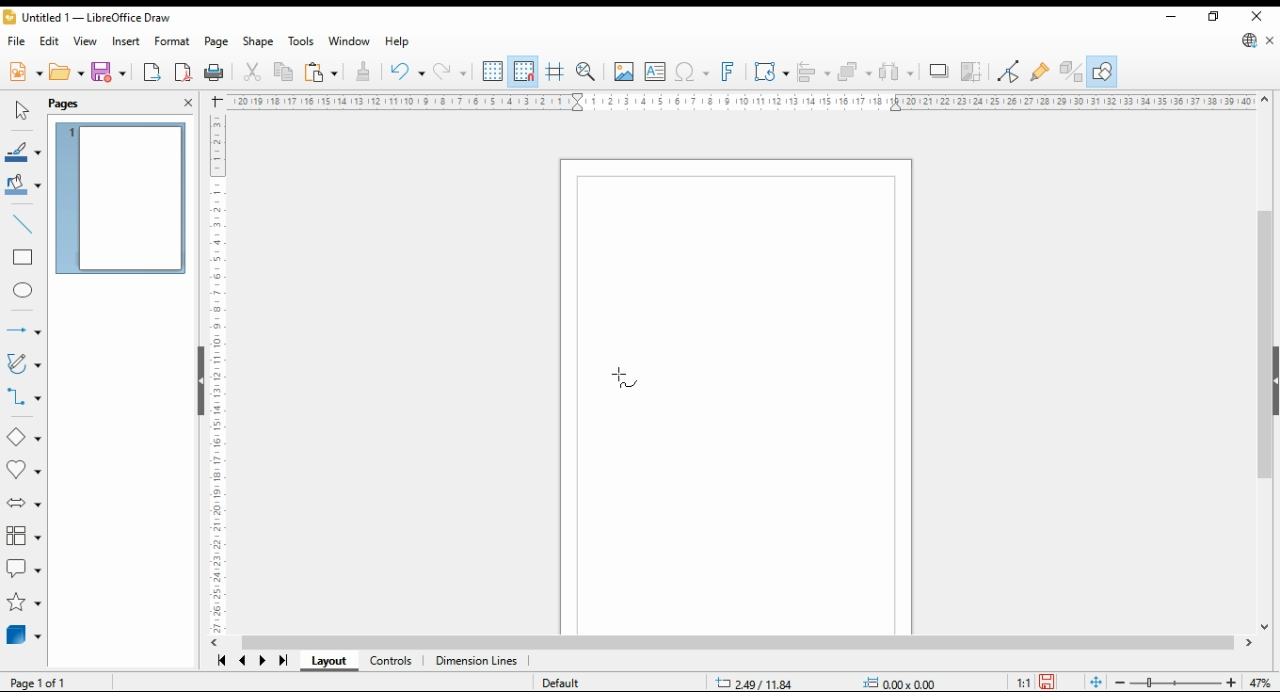  I want to click on zoom and pan, so click(586, 73).